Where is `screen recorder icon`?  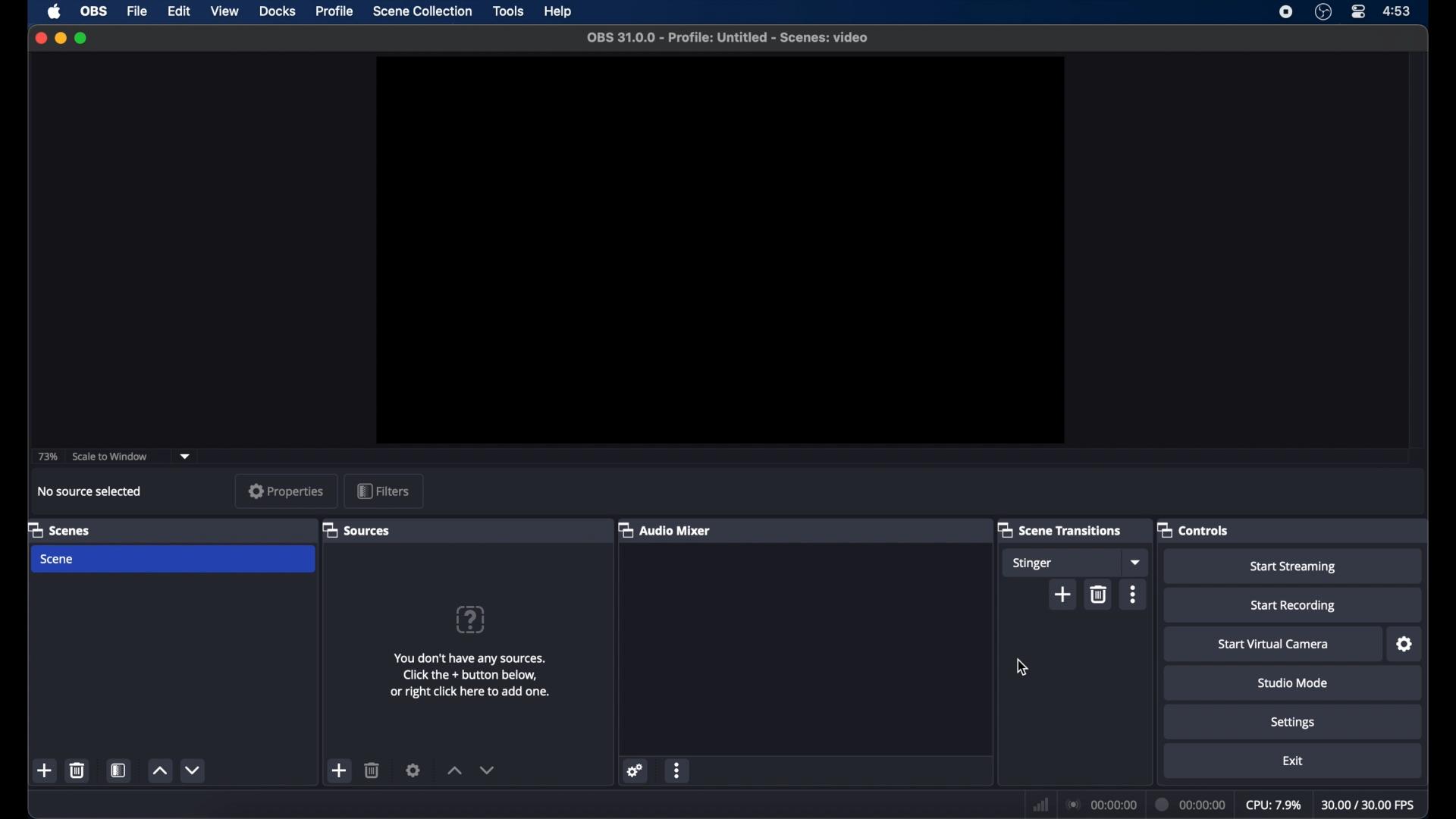
screen recorder icon is located at coordinates (1287, 12).